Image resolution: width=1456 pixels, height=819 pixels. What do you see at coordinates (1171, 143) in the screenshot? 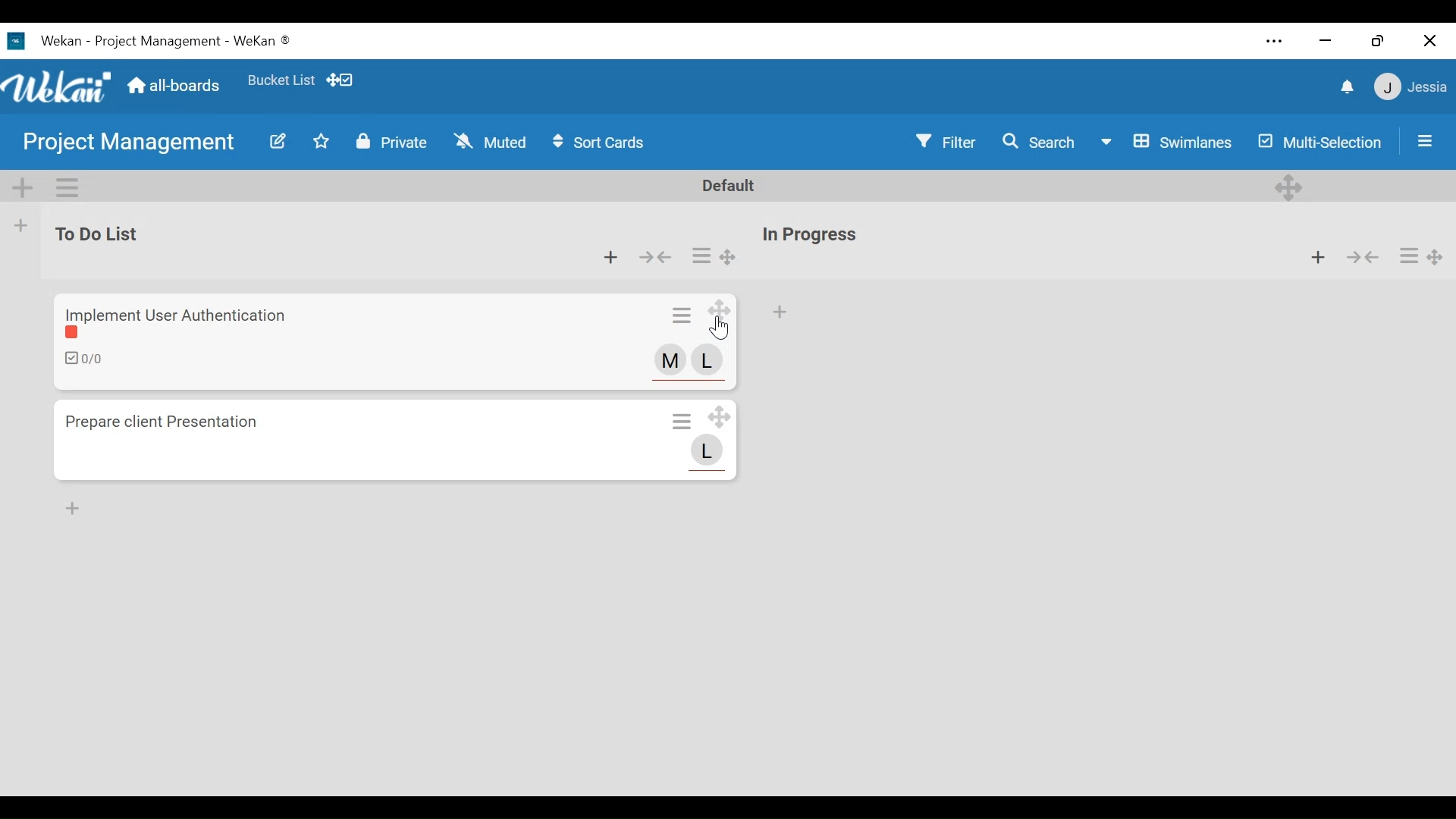
I see `Board View` at bounding box center [1171, 143].